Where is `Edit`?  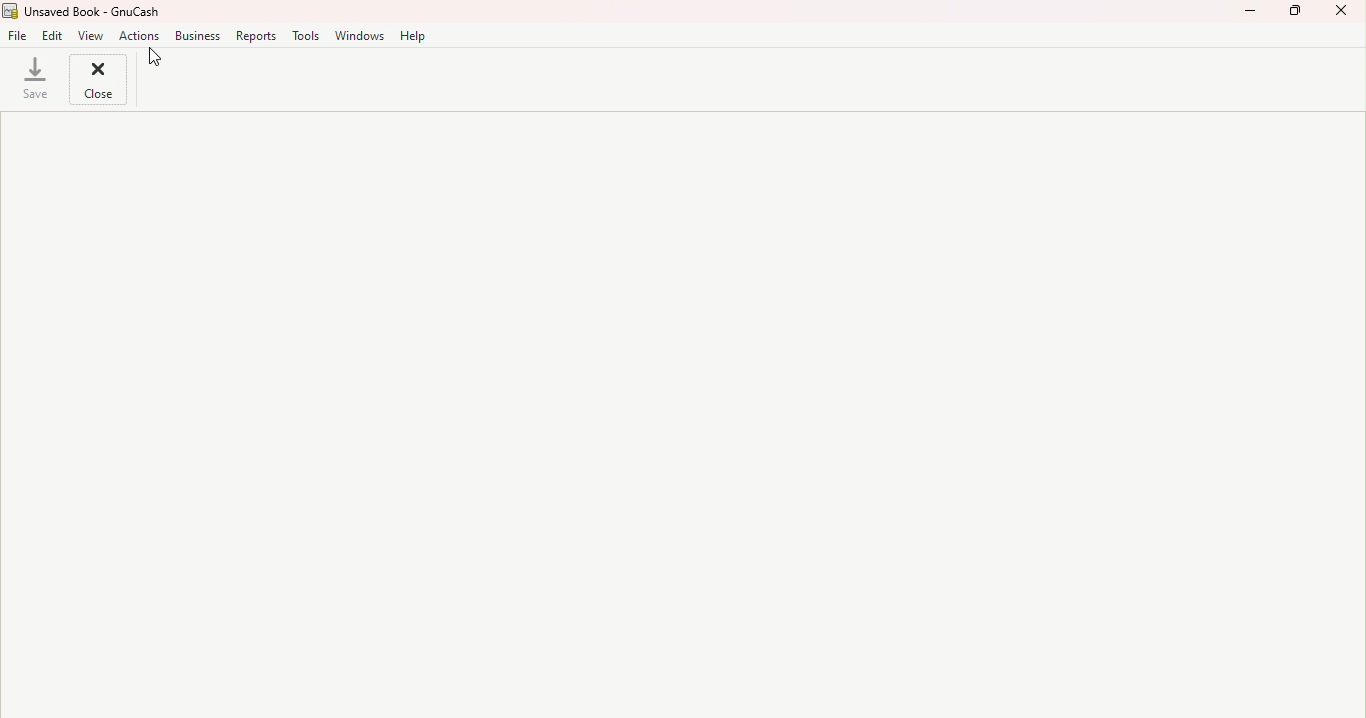
Edit is located at coordinates (54, 35).